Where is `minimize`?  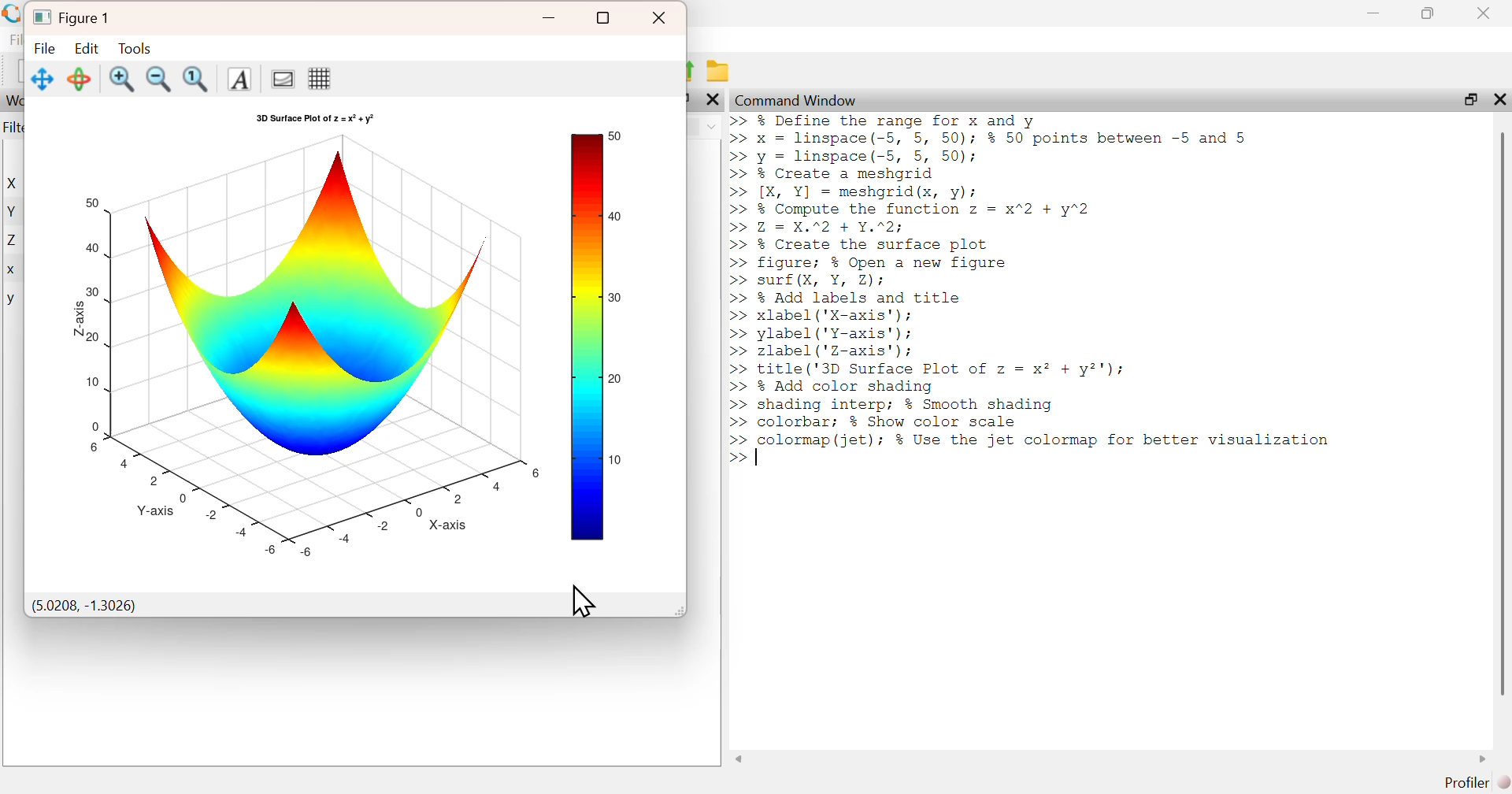 minimize is located at coordinates (1373, 13).